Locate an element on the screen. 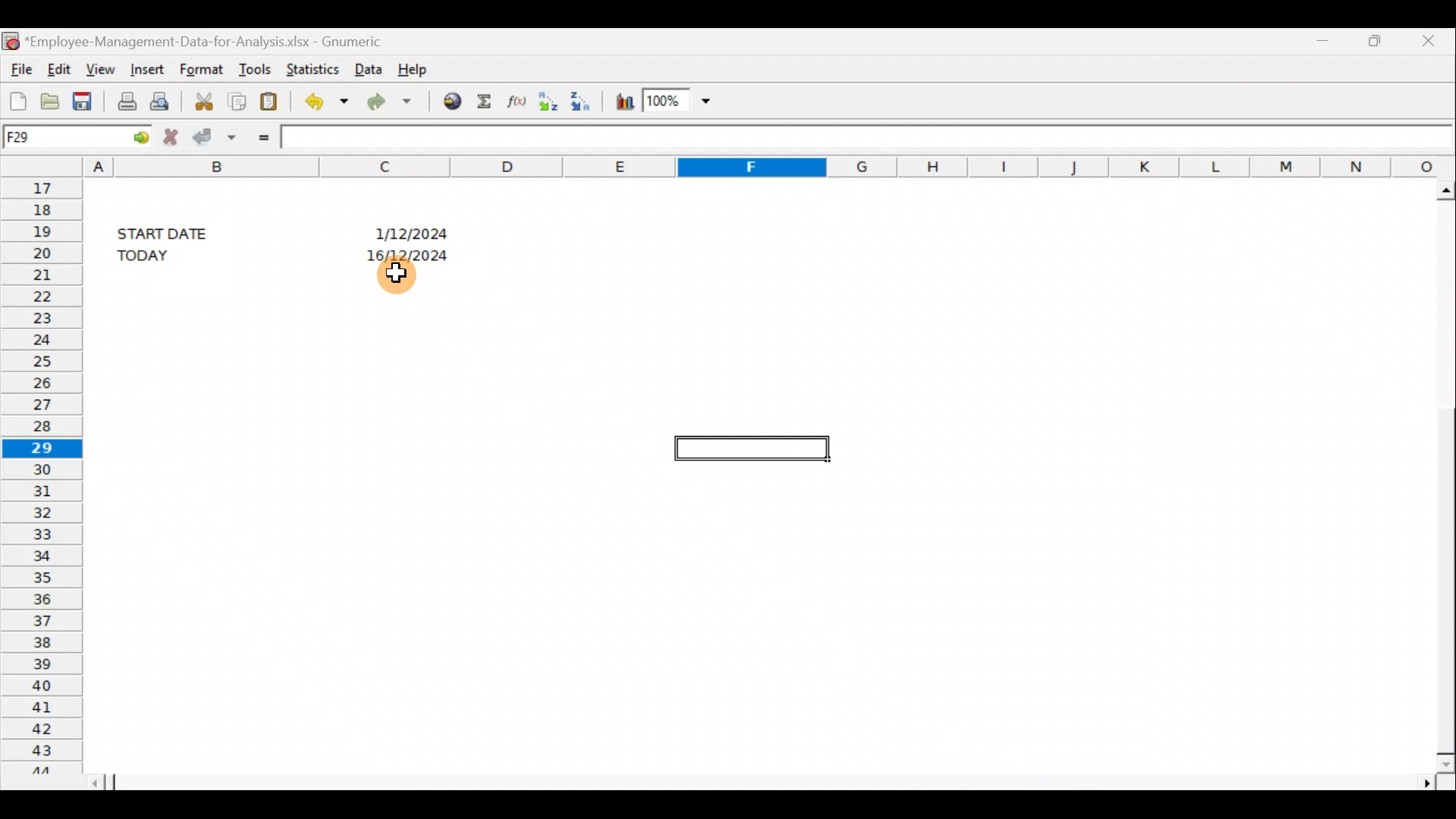 The image size is (1456, 819). Create a new workbook is located at coordinates (15, 97).